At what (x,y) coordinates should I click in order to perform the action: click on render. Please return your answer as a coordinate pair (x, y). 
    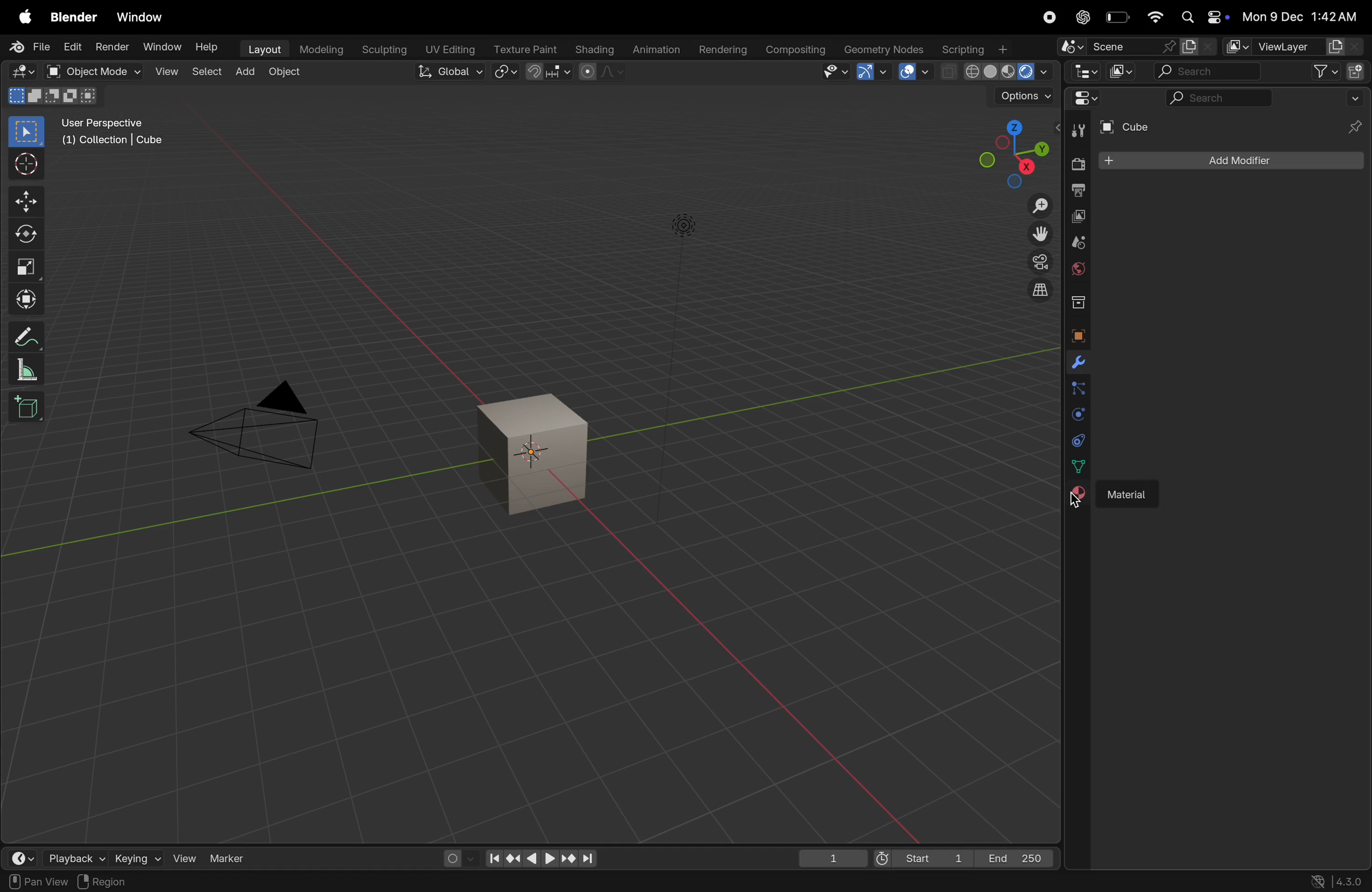
    Looking at the image, I should click on (1075, 165).